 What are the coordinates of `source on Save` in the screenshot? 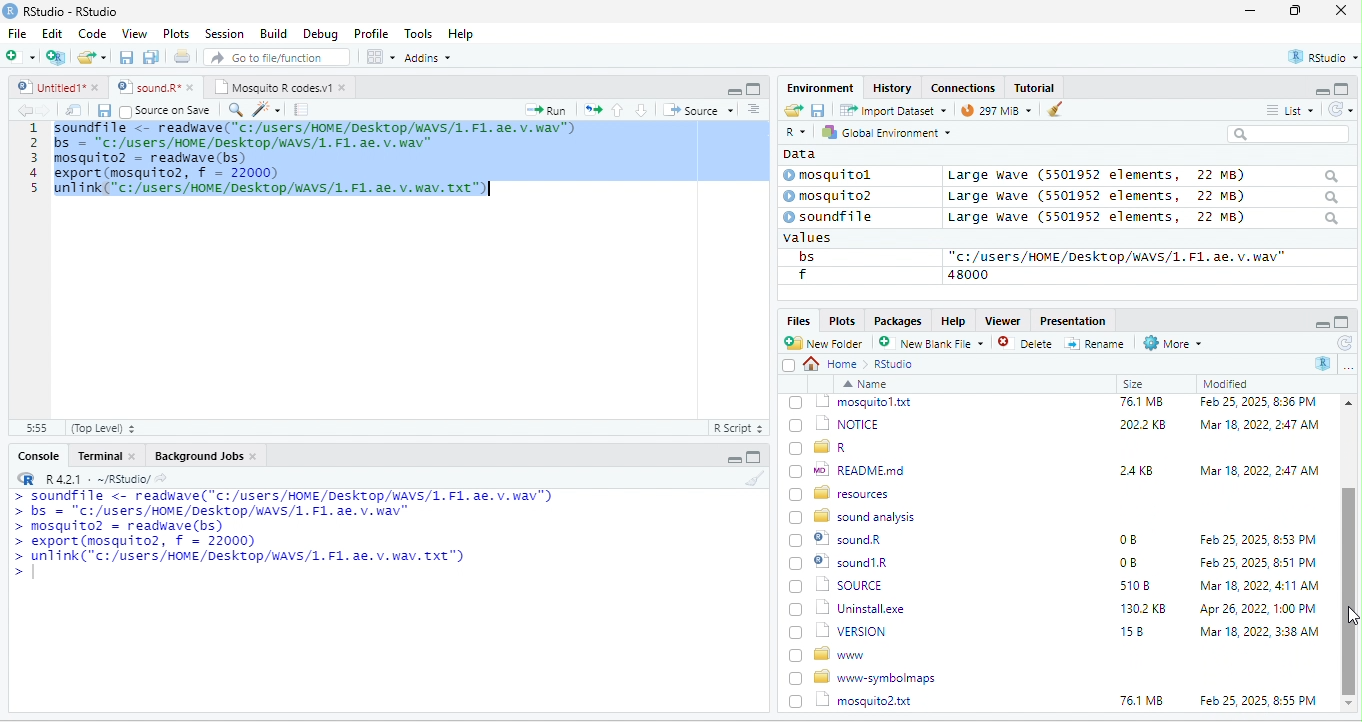 It's located at (167, 112).